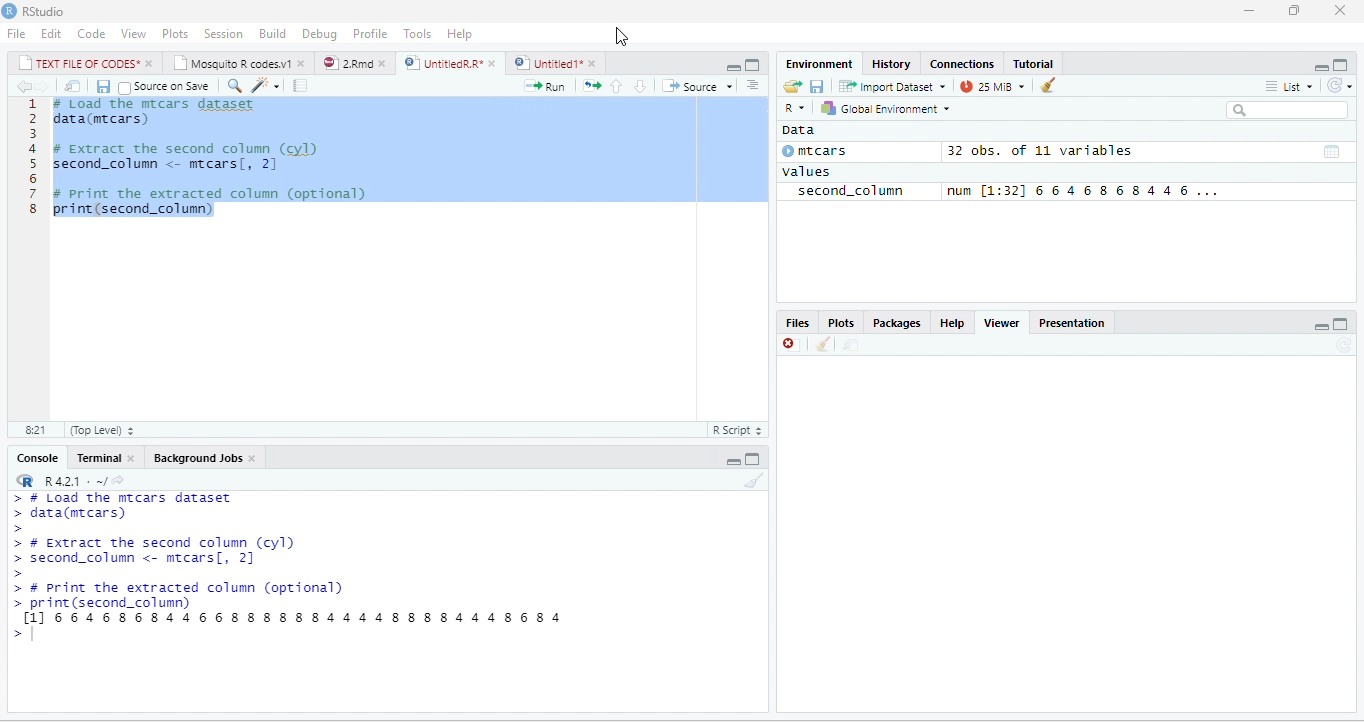 This screenshot has width=1364, height=722. What do you see at coordinates (458, 32) in the screenshot?
I see `help` at bounding box center [458, 32].